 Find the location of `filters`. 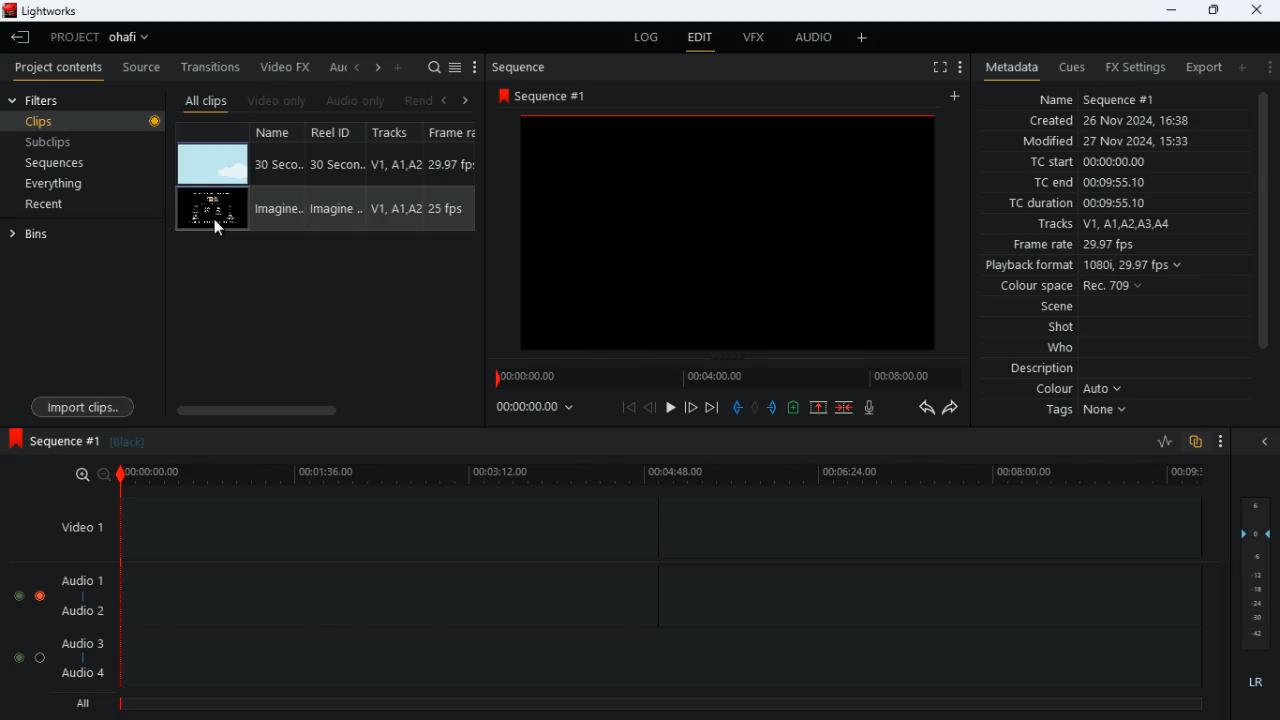

filters is located at coordinates (46, 101).